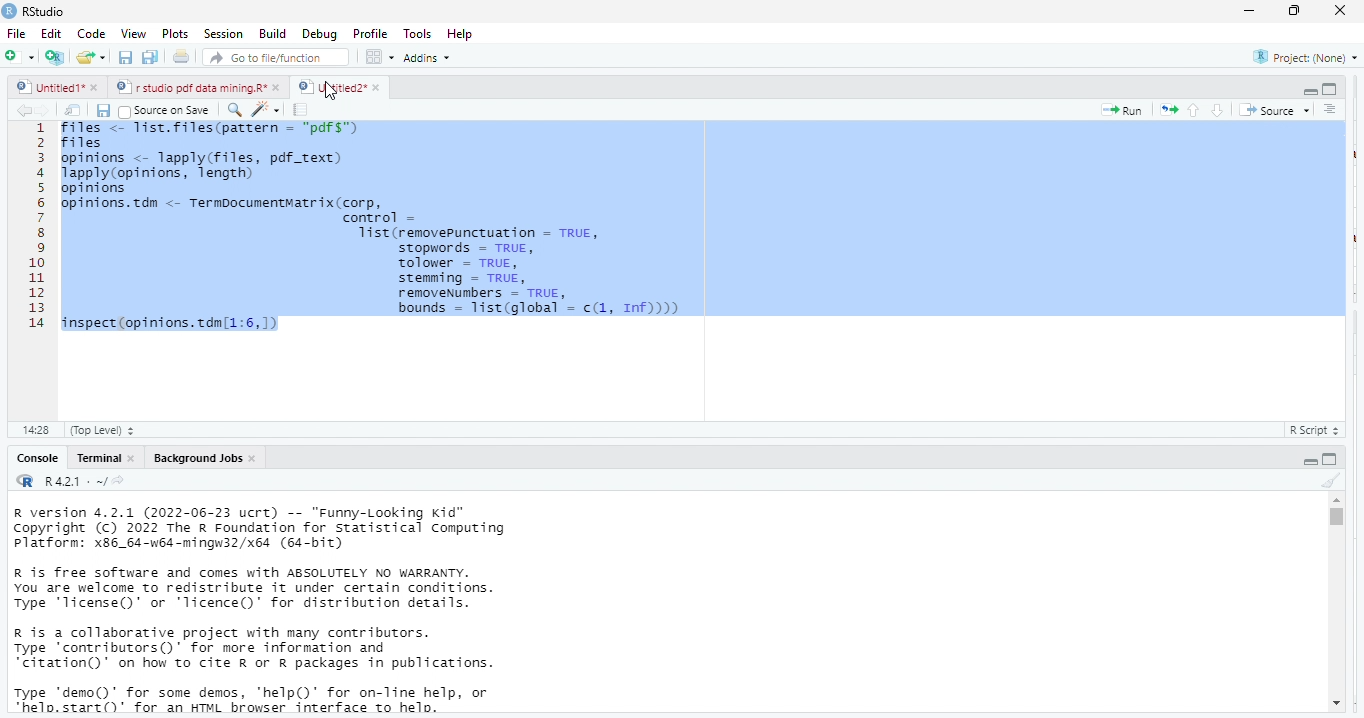  I want to click on vertical scroll bar, so click(1335, 602).